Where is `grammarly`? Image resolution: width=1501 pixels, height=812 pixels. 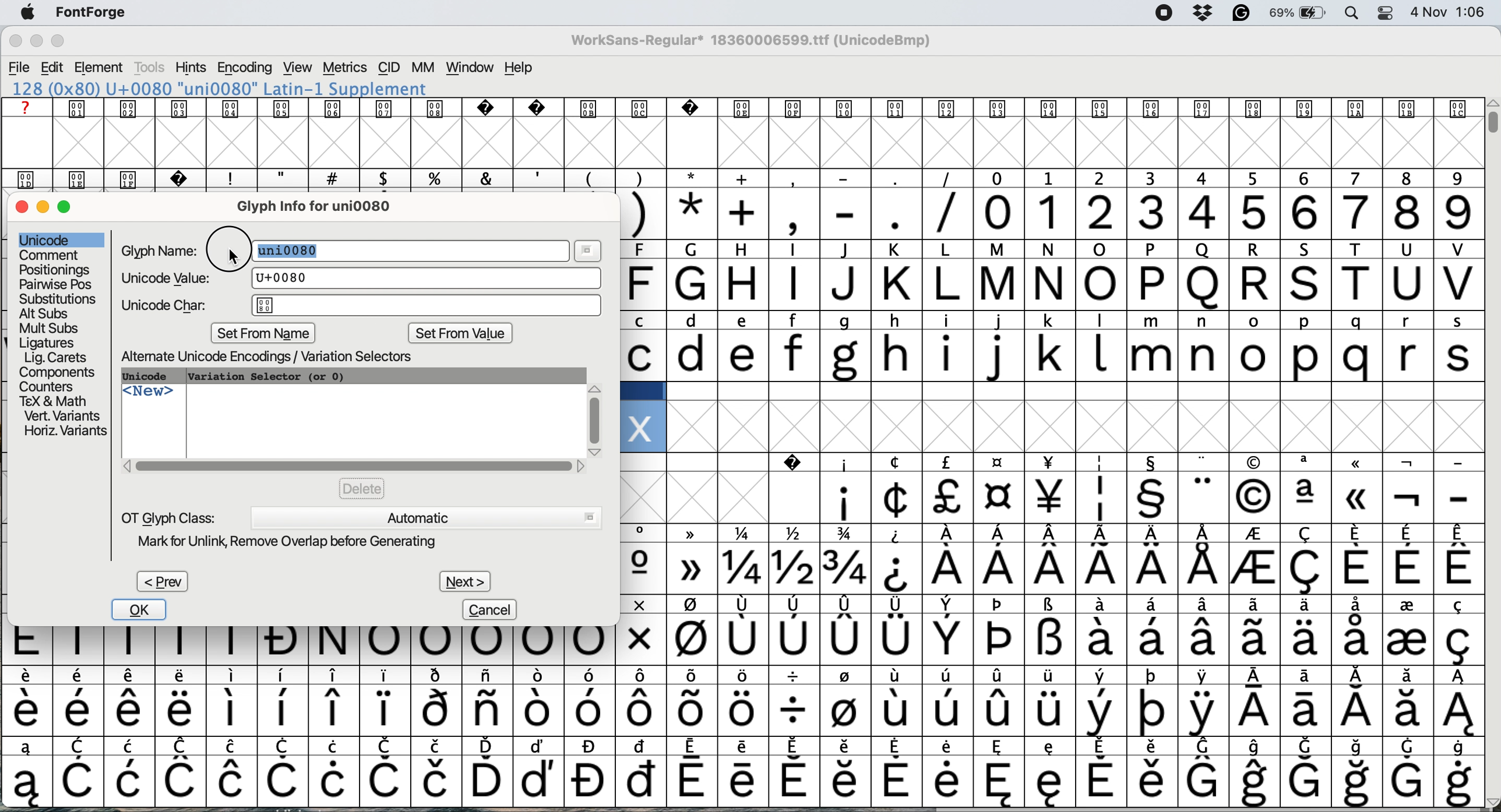
grammarly is located at coordinates (1239, 13).